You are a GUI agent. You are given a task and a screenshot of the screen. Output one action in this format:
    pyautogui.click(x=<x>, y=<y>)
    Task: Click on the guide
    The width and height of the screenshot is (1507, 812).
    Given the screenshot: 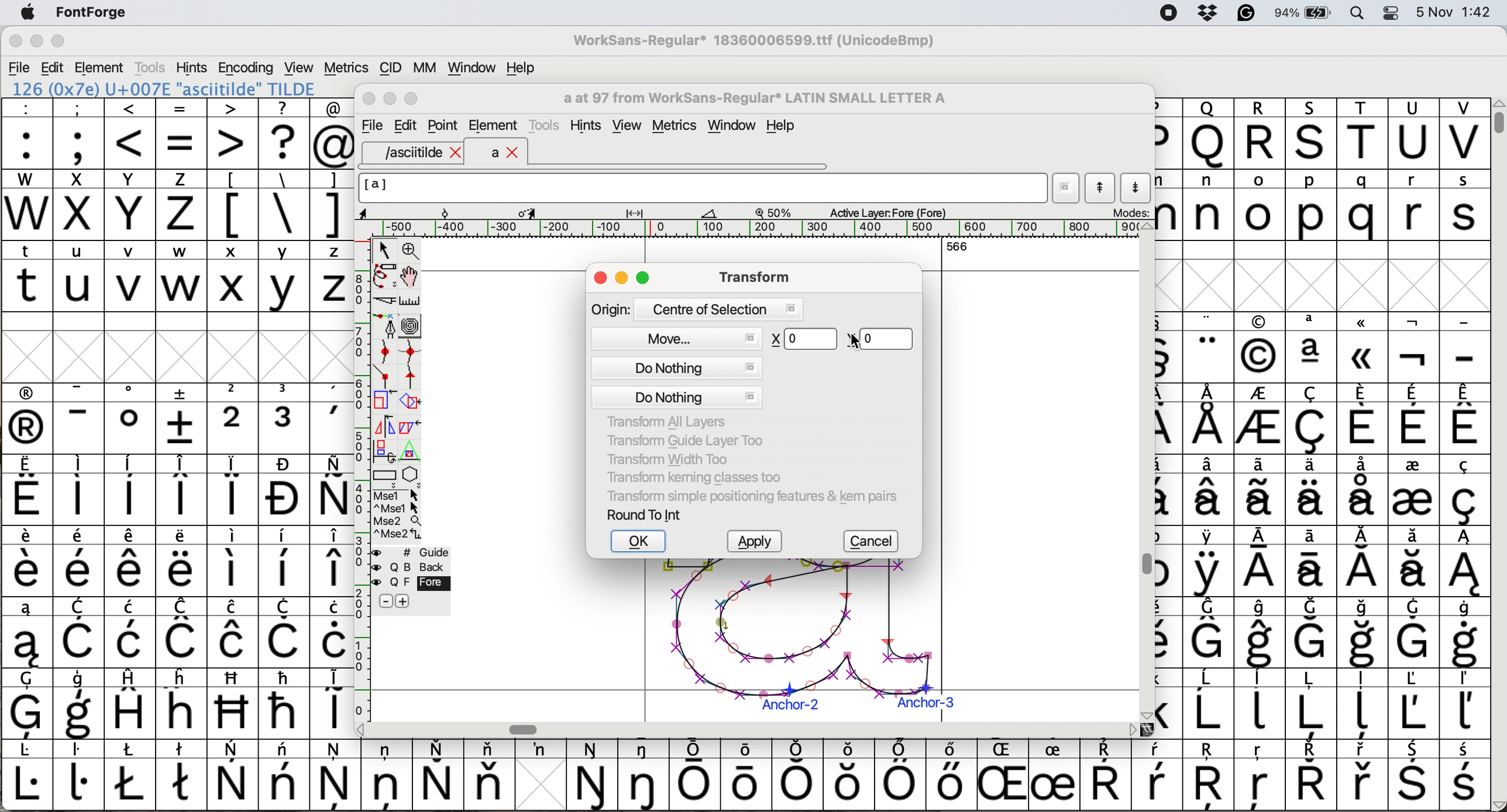 What is the action you would take?
    pyautogui.click(x=418, y=550)
    